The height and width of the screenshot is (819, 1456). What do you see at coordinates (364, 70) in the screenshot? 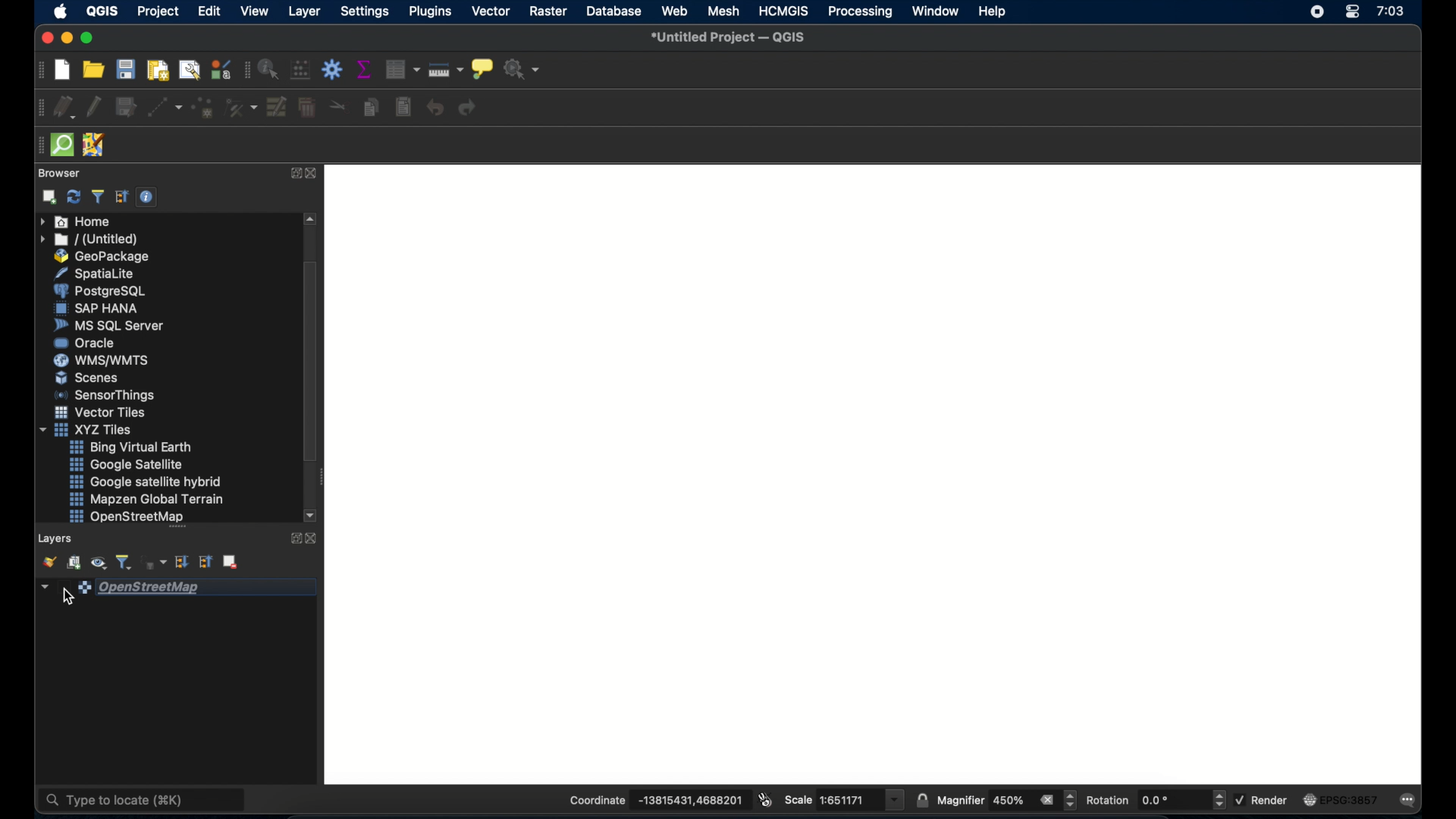
I see `show statistical summary` at bounding box center [364, 70].